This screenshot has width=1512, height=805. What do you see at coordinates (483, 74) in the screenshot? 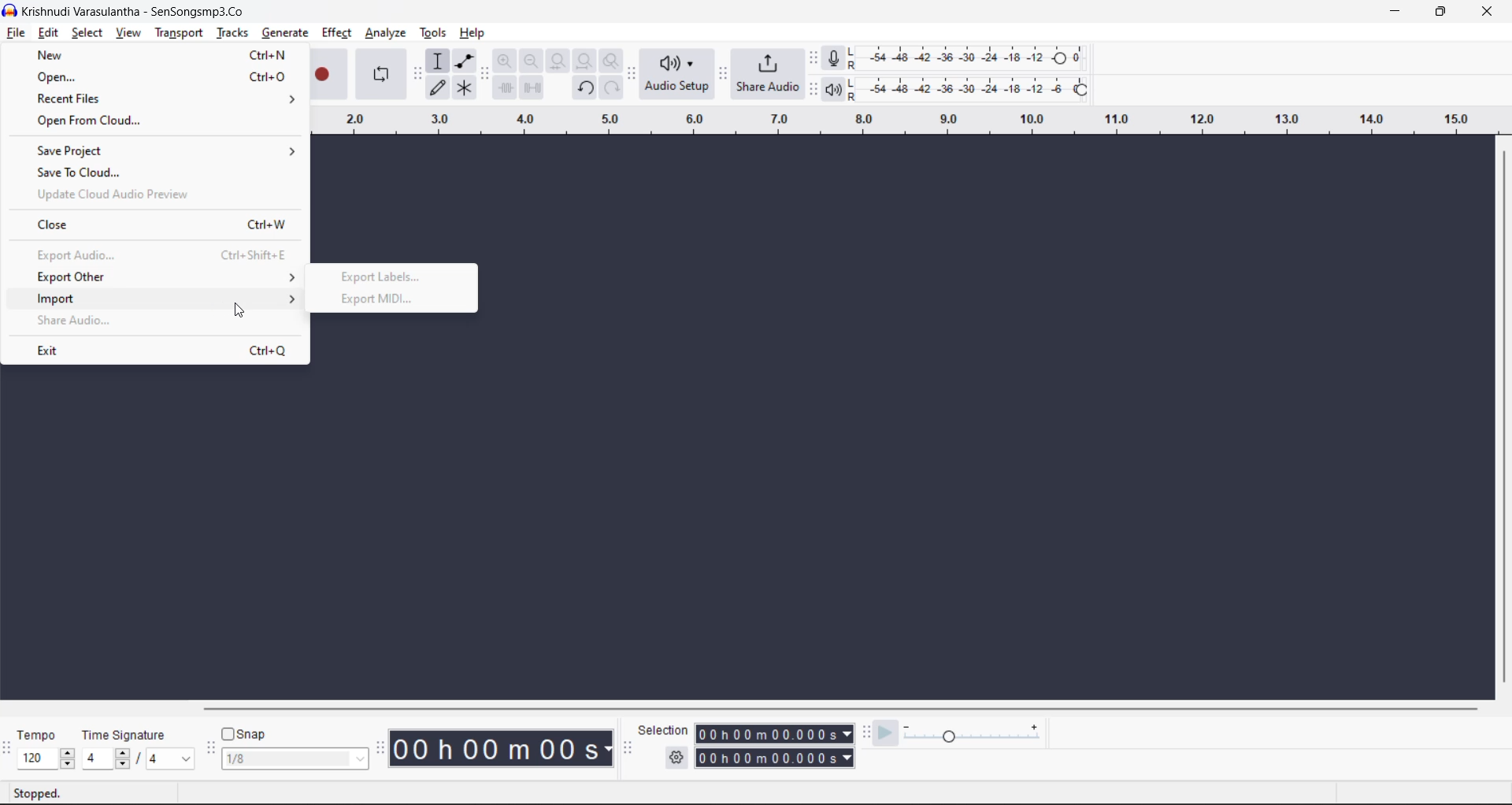
I see `edit tool bar` at bounding box center [483, 74].